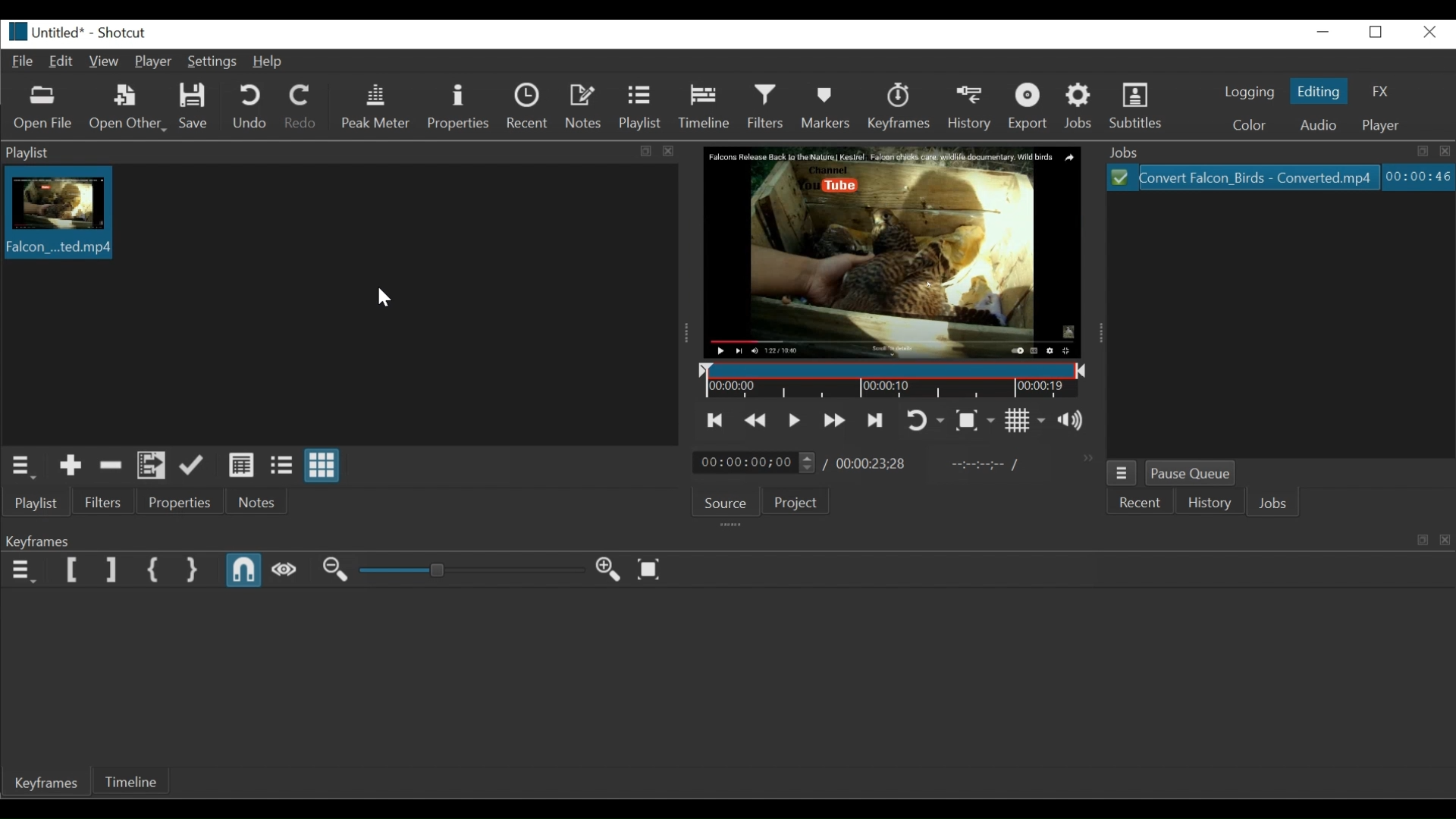 The width and height of the screenshot is (1456, 819). I want to click on Notes, so click(258, 501).